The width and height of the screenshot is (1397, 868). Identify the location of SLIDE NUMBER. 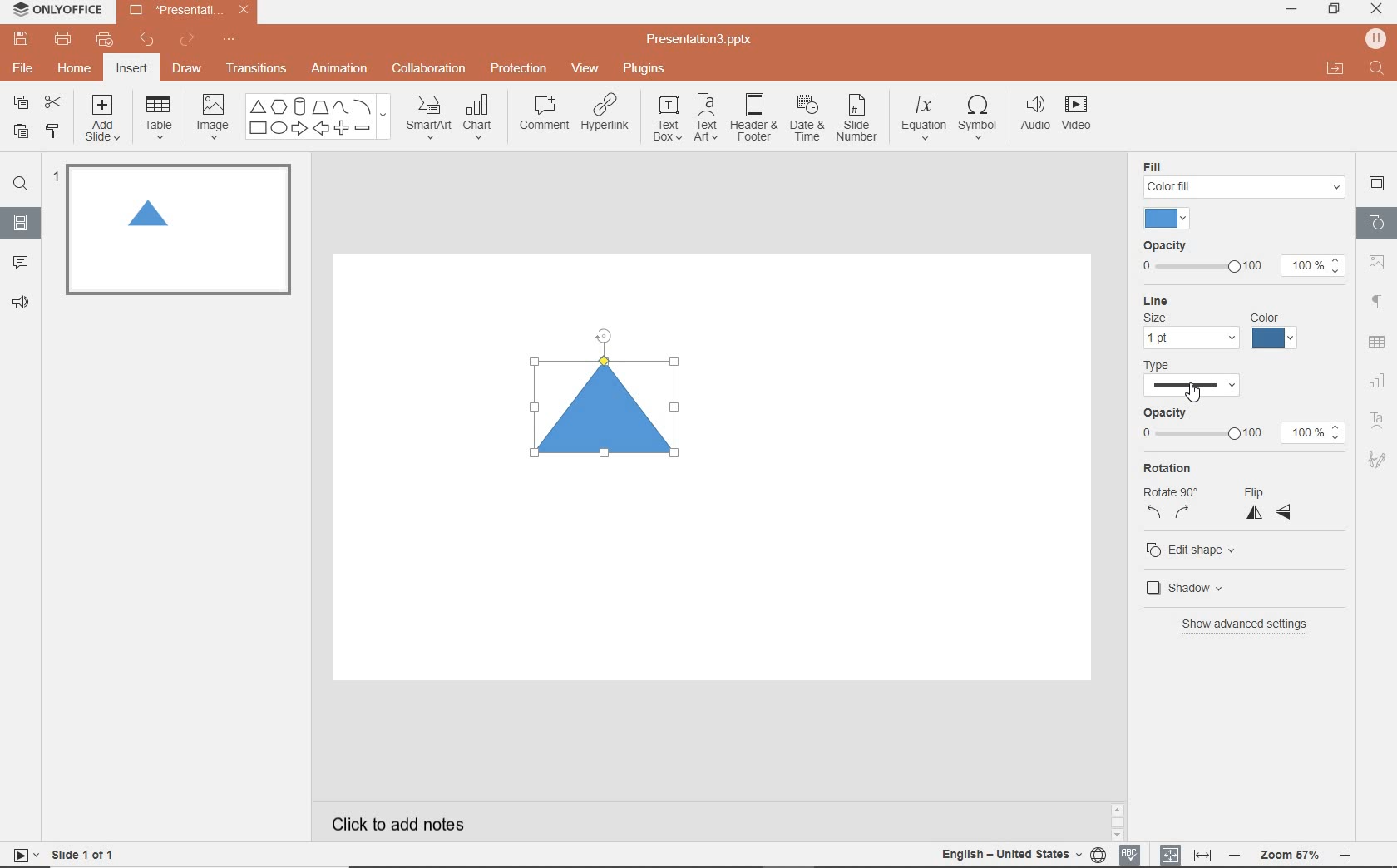
(858, 121).